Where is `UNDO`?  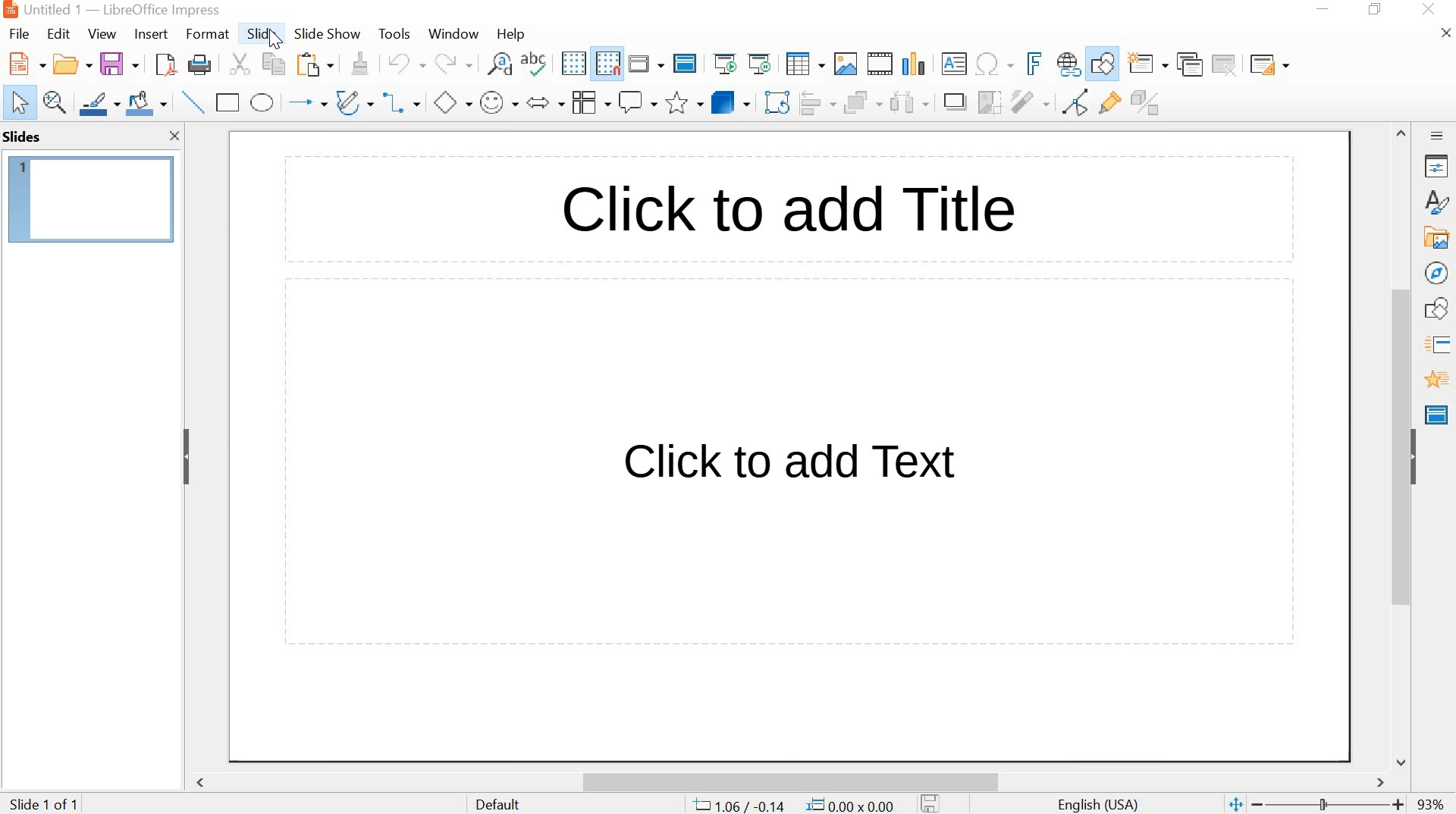
UNDO is located at coordinates (404, 64).